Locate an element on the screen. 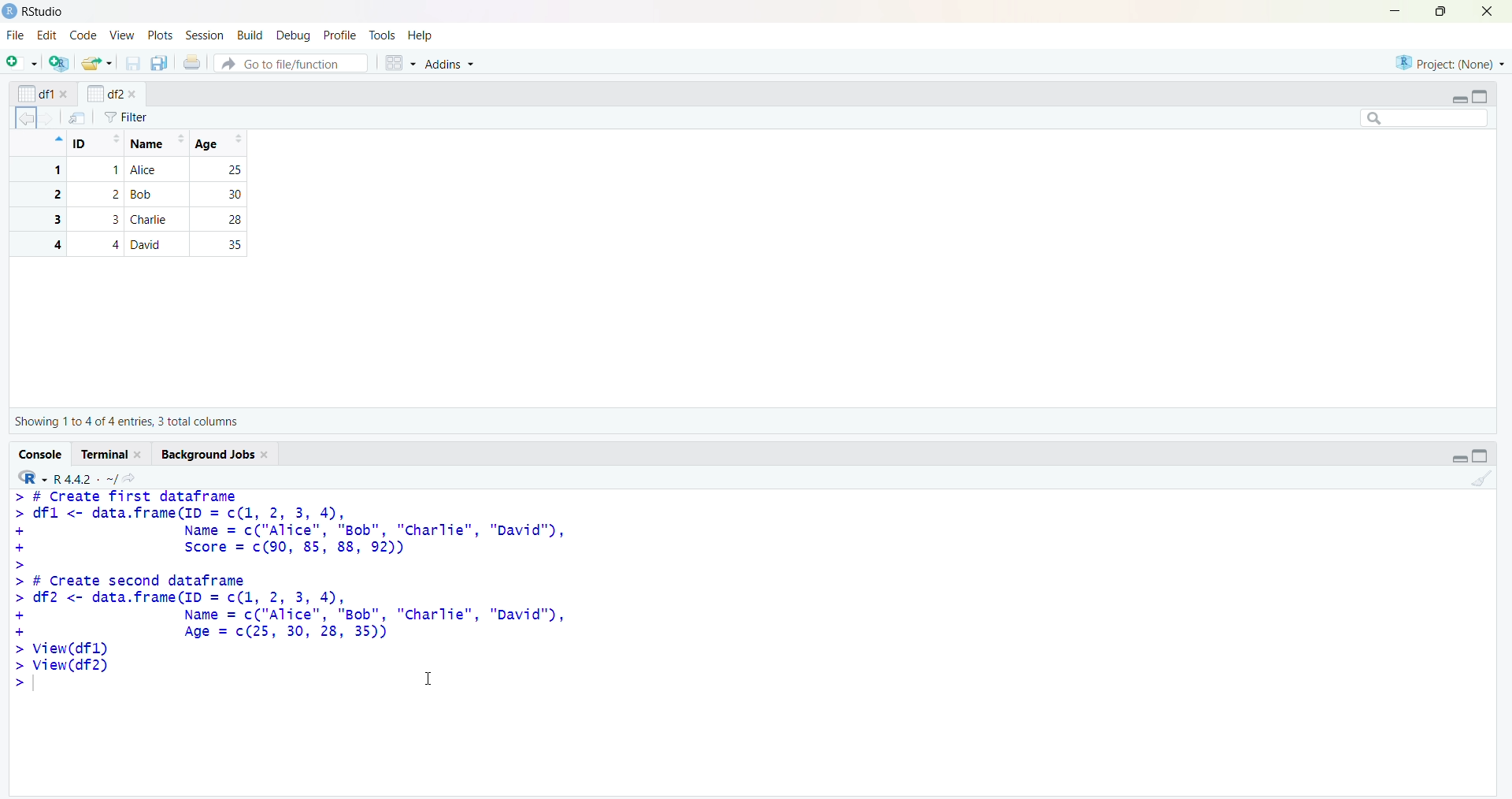  share folder as is located at coordinates (98, 63).